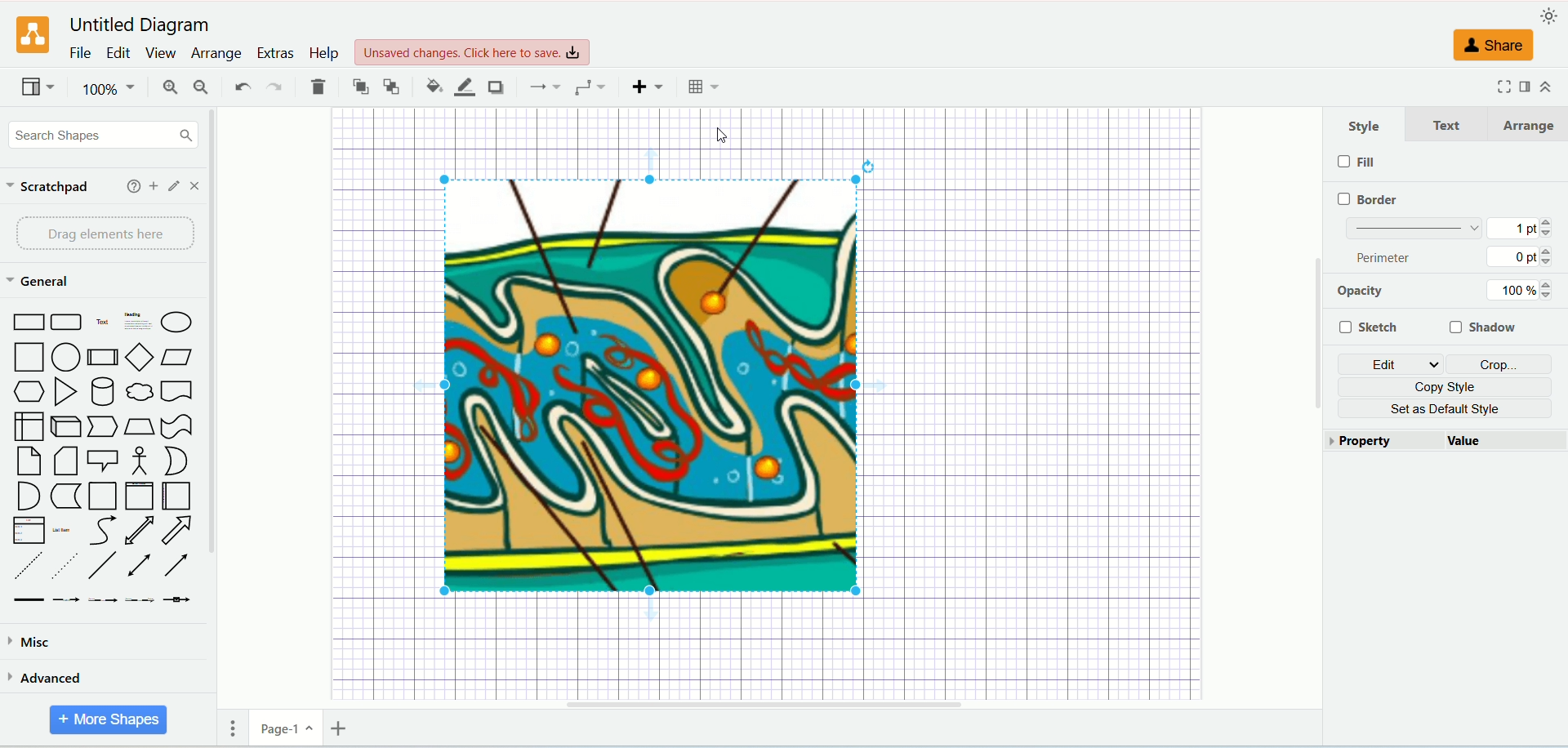  Describe the element at coordinates (109, 89) in the screenshot. I see `100%` at that location.